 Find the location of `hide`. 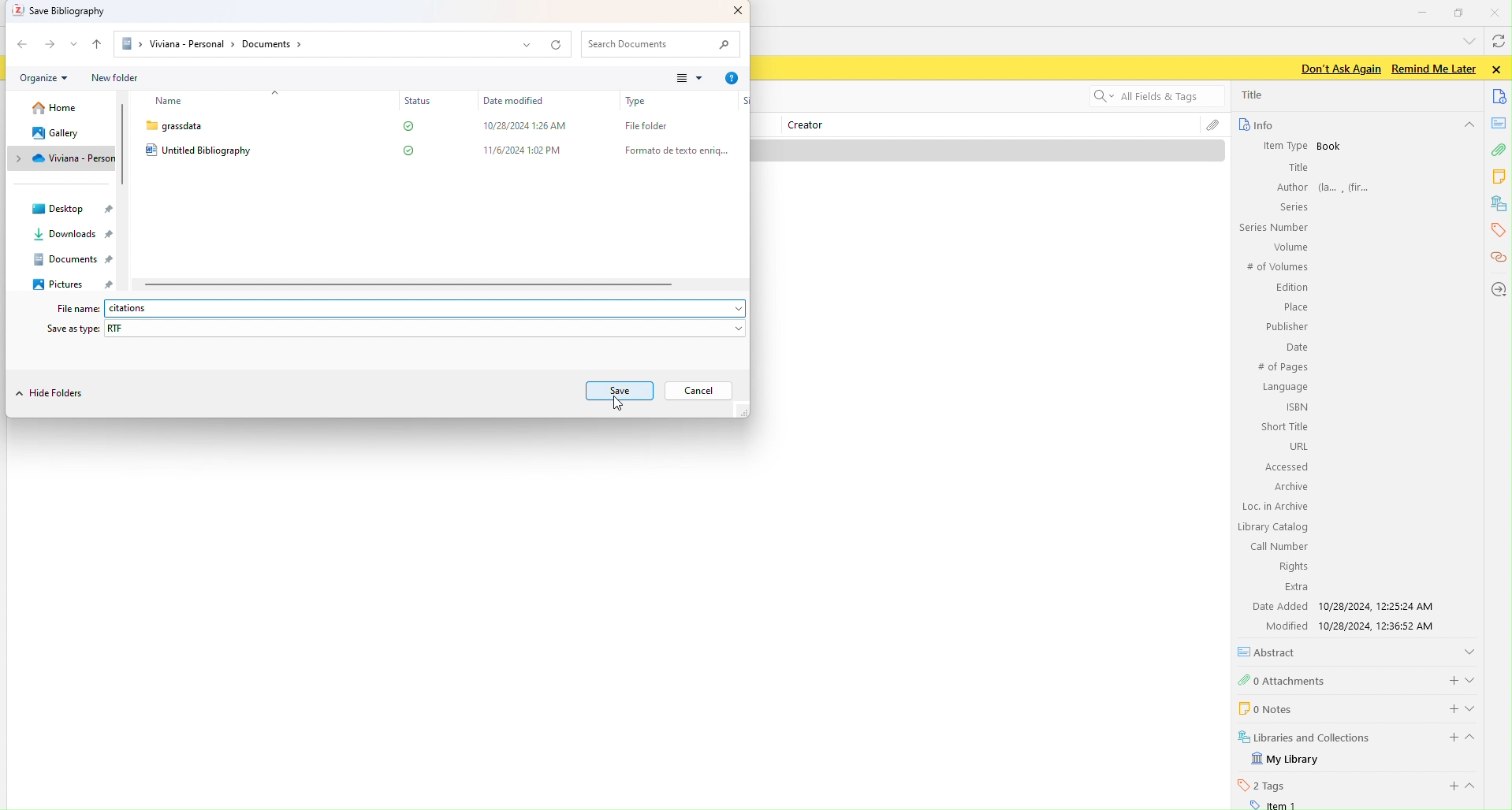

hide is located at coordinates (1468, 126).